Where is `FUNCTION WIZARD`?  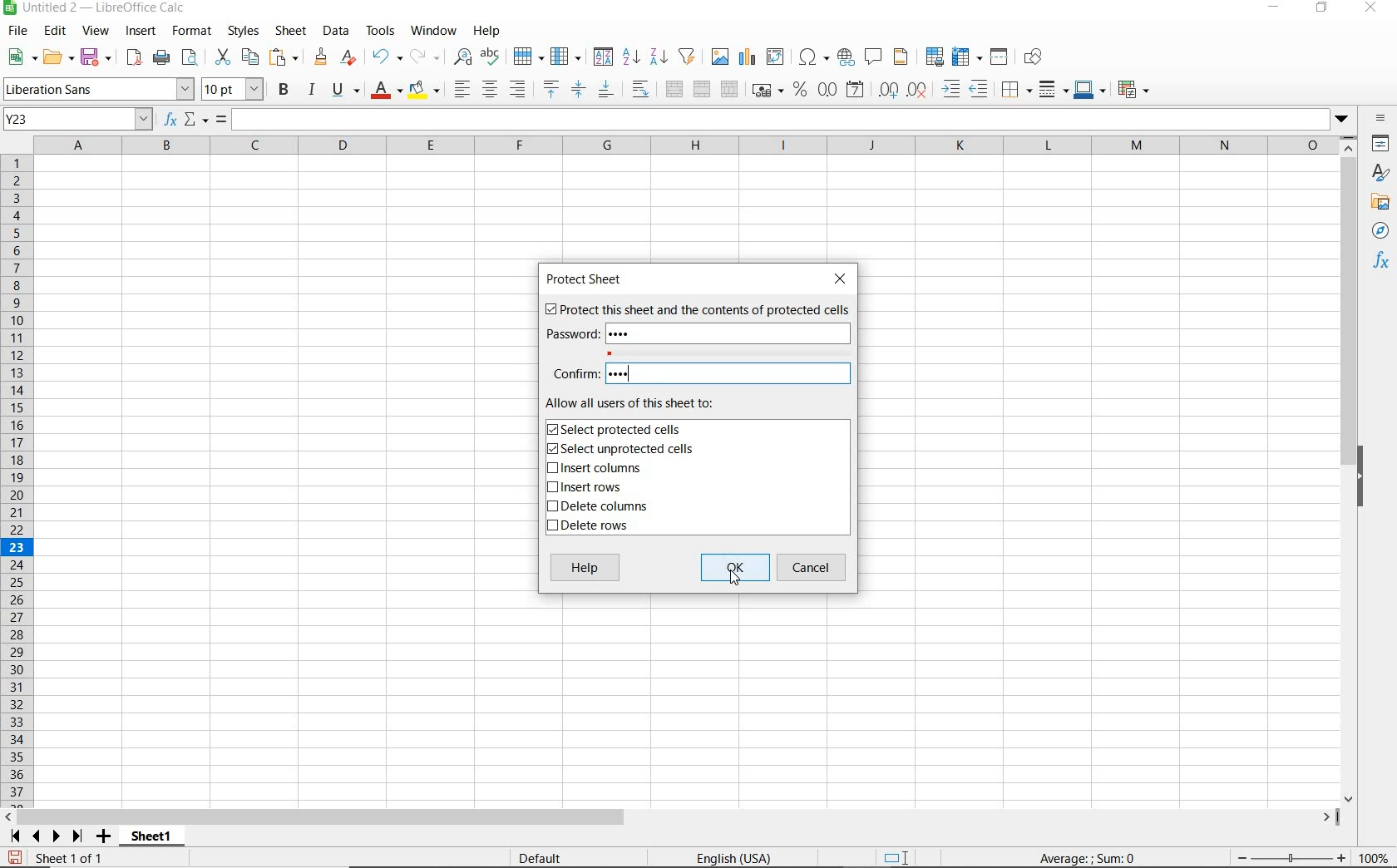 FUNCTION WIZARD is located at coordinates (170, 121).